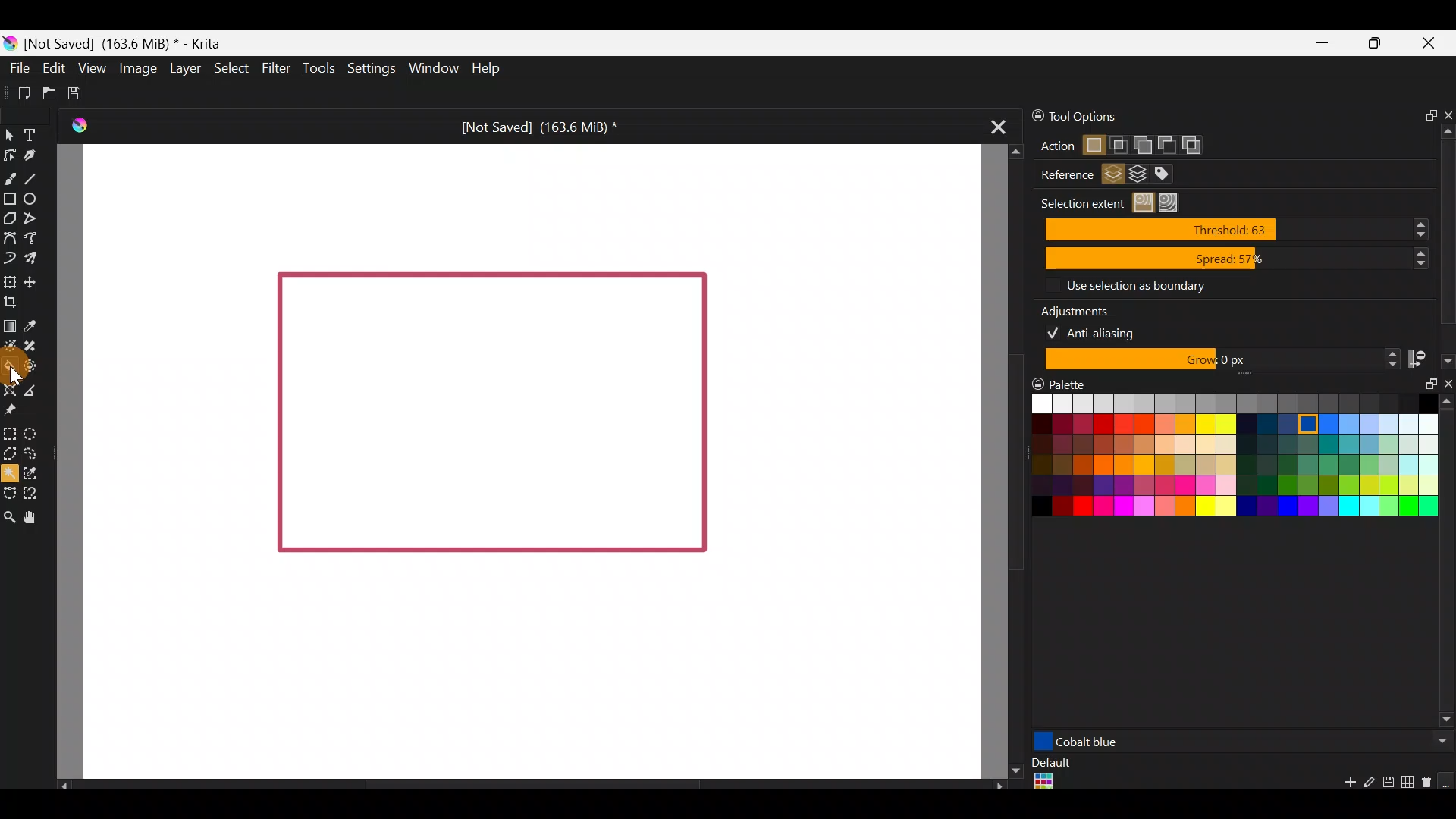 Image resolution: width=1456 pixels, height=819 pixels. Describe the element at coordinates (80, 124) in the screenshot. I see `Krita Logo` at that location.